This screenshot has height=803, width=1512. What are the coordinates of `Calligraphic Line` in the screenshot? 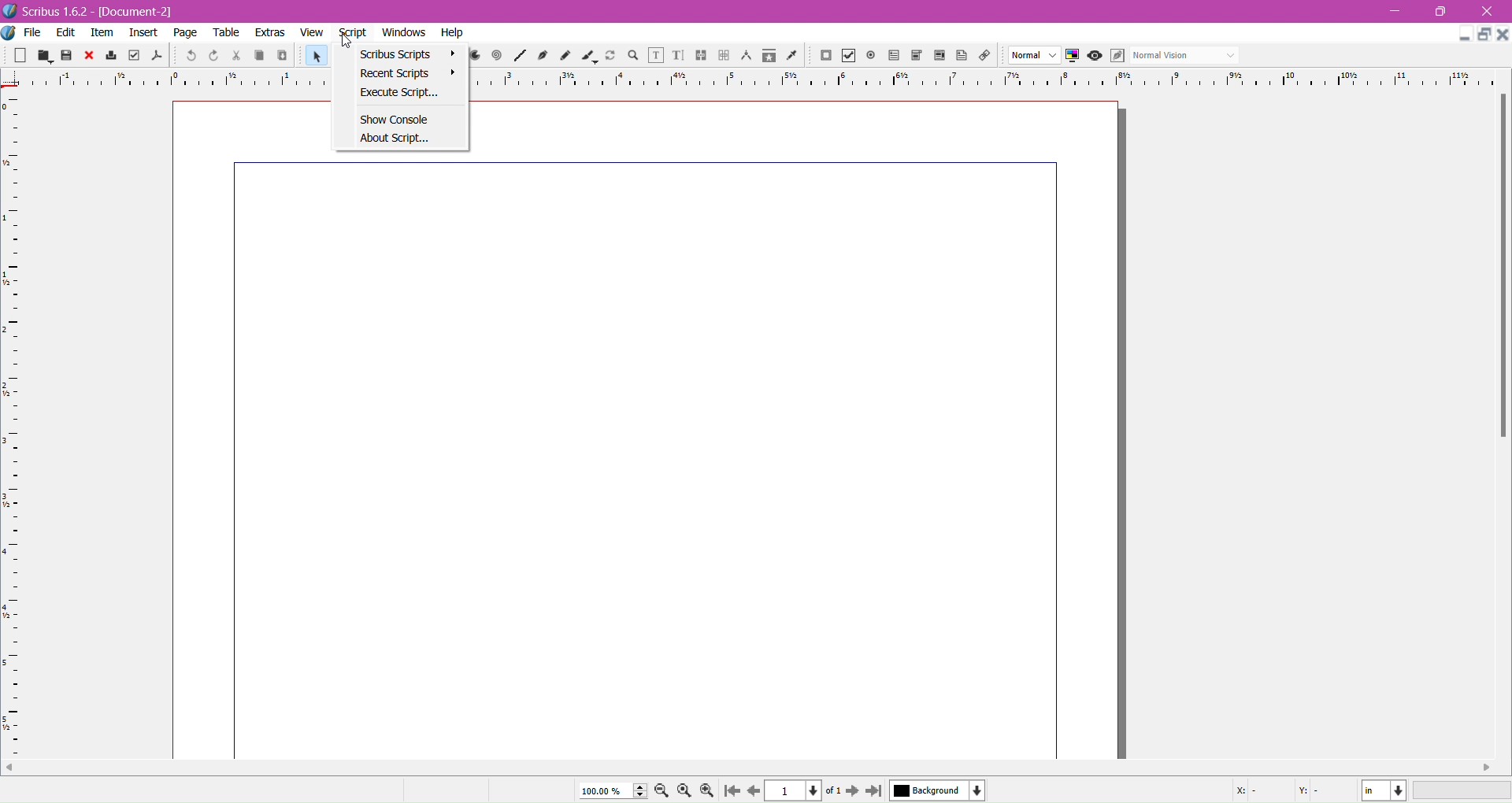 It's located at (591, 55).